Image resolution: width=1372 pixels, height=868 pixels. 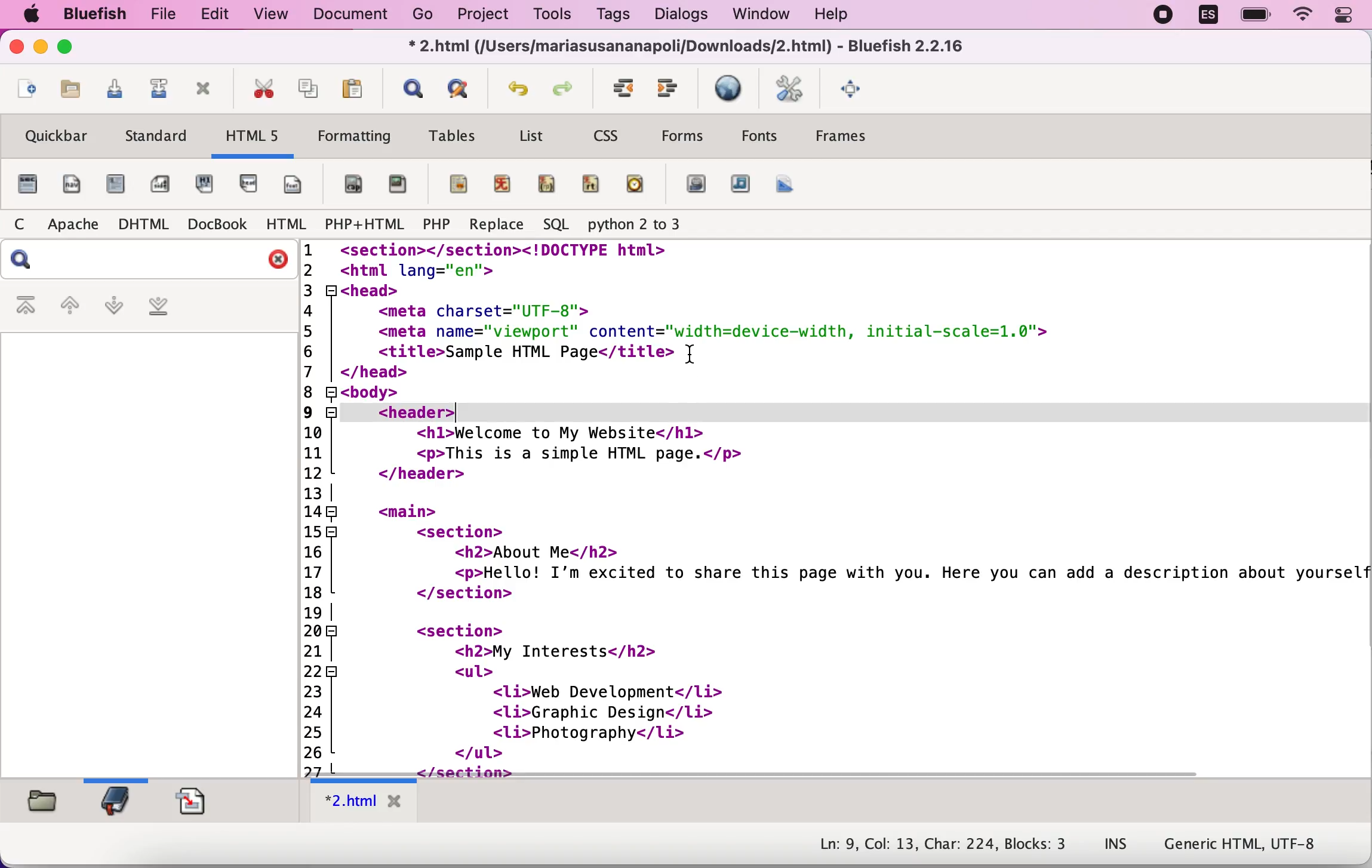 I want to click on php+html, so click(x=365, y=226).